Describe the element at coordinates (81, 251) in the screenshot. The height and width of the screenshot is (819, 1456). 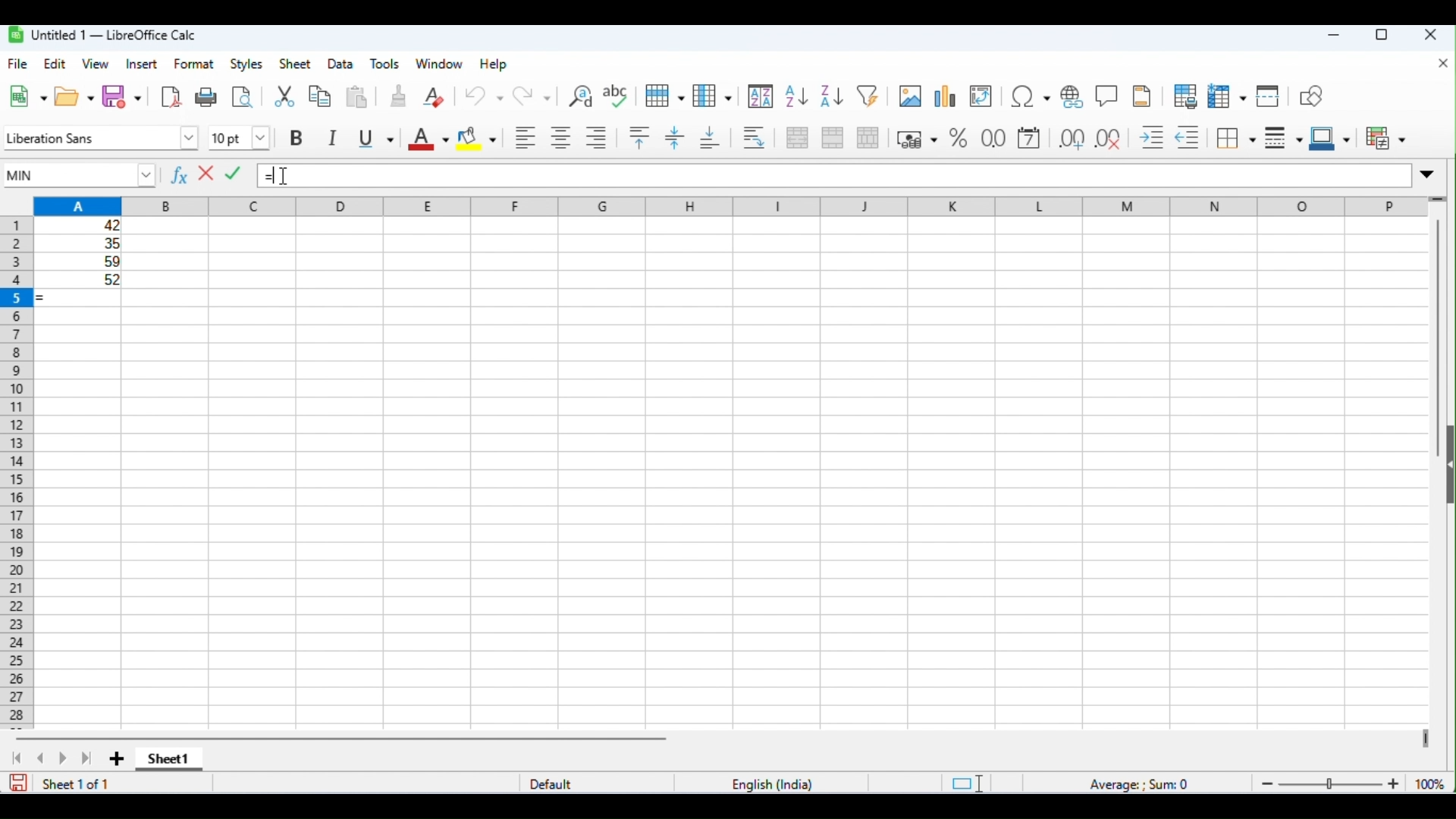
I see `range of cells` at that location.